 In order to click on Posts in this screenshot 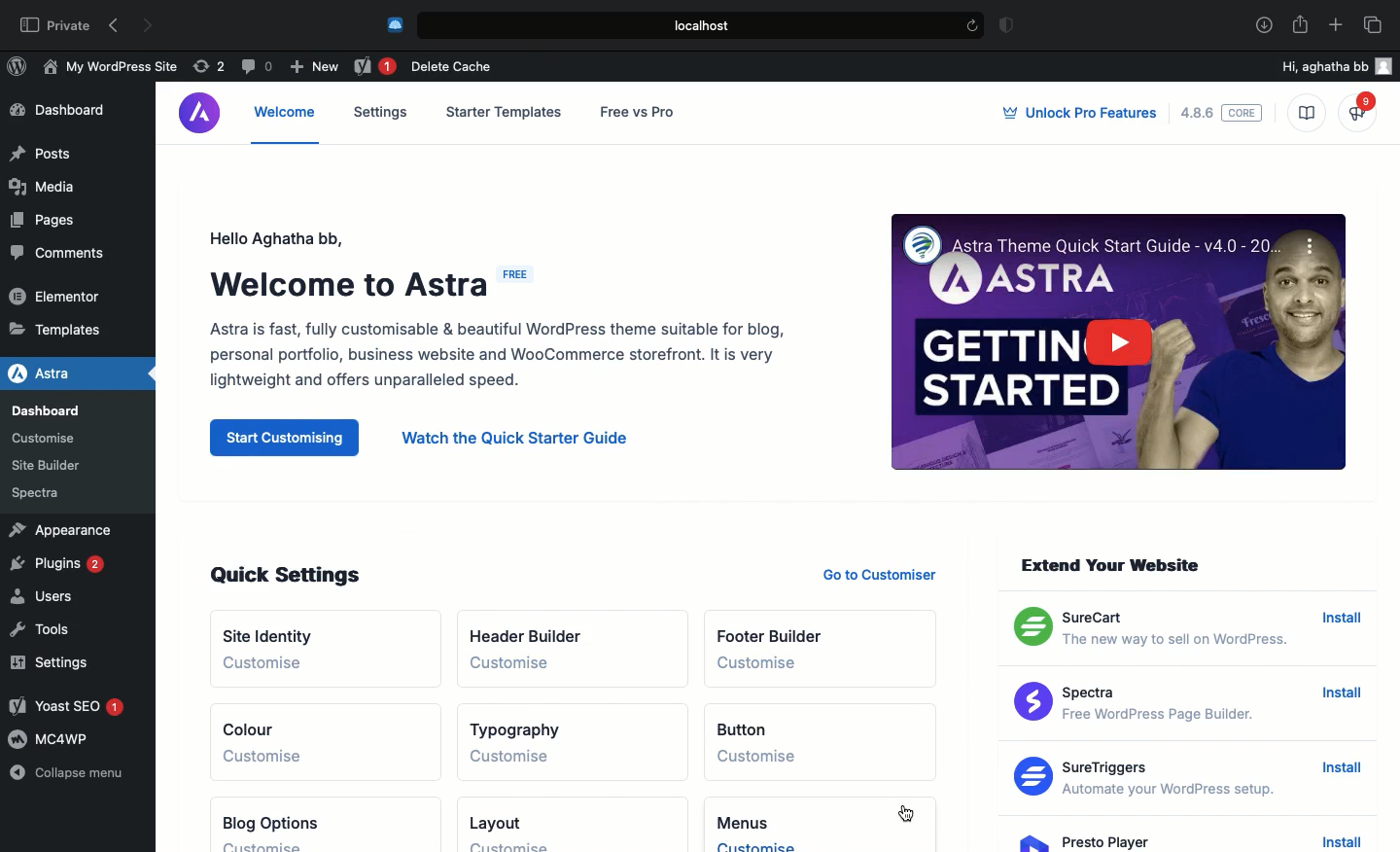, I will do `click(46, 148)`.